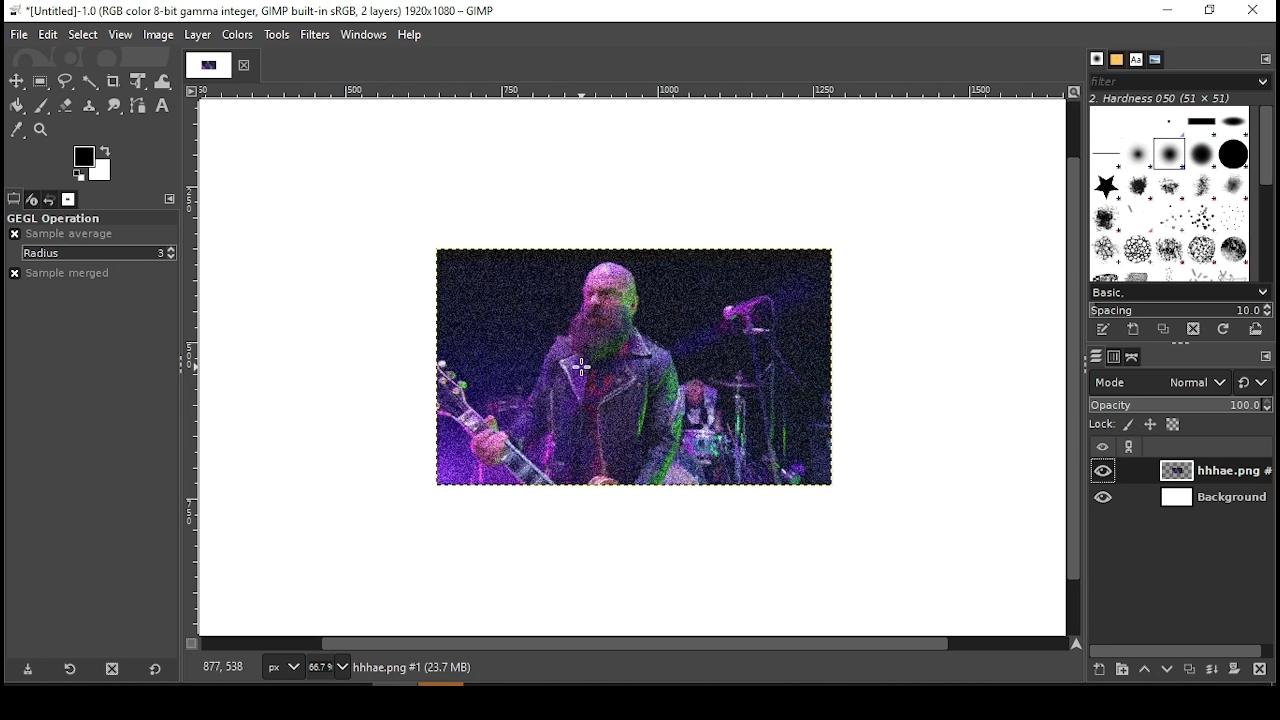 The width and height of the screenshot is (1280, 720). What do you see at coordinates (191, 370) in the screenshot?
I see `vertical scale` at bounding box center [191, 370].